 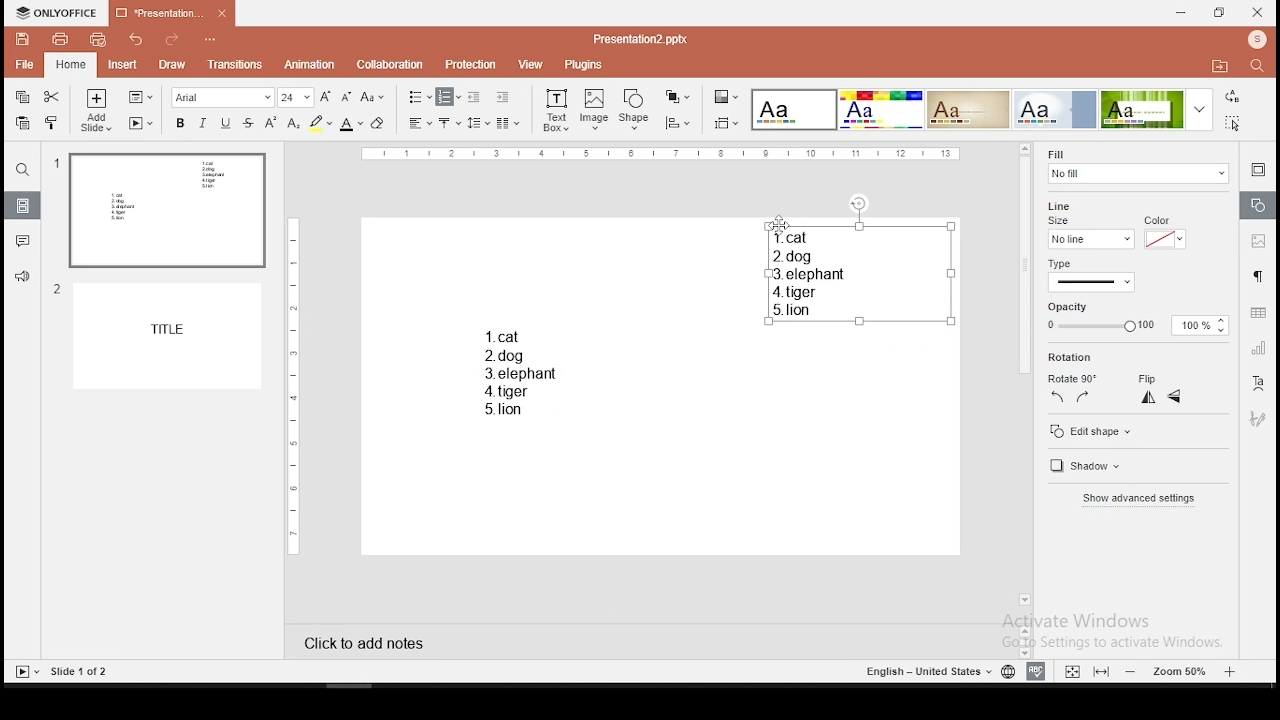 What do you see at coordinates (57, 39) in the screenshot?
I see `print file` at bounding box center [57, 39].